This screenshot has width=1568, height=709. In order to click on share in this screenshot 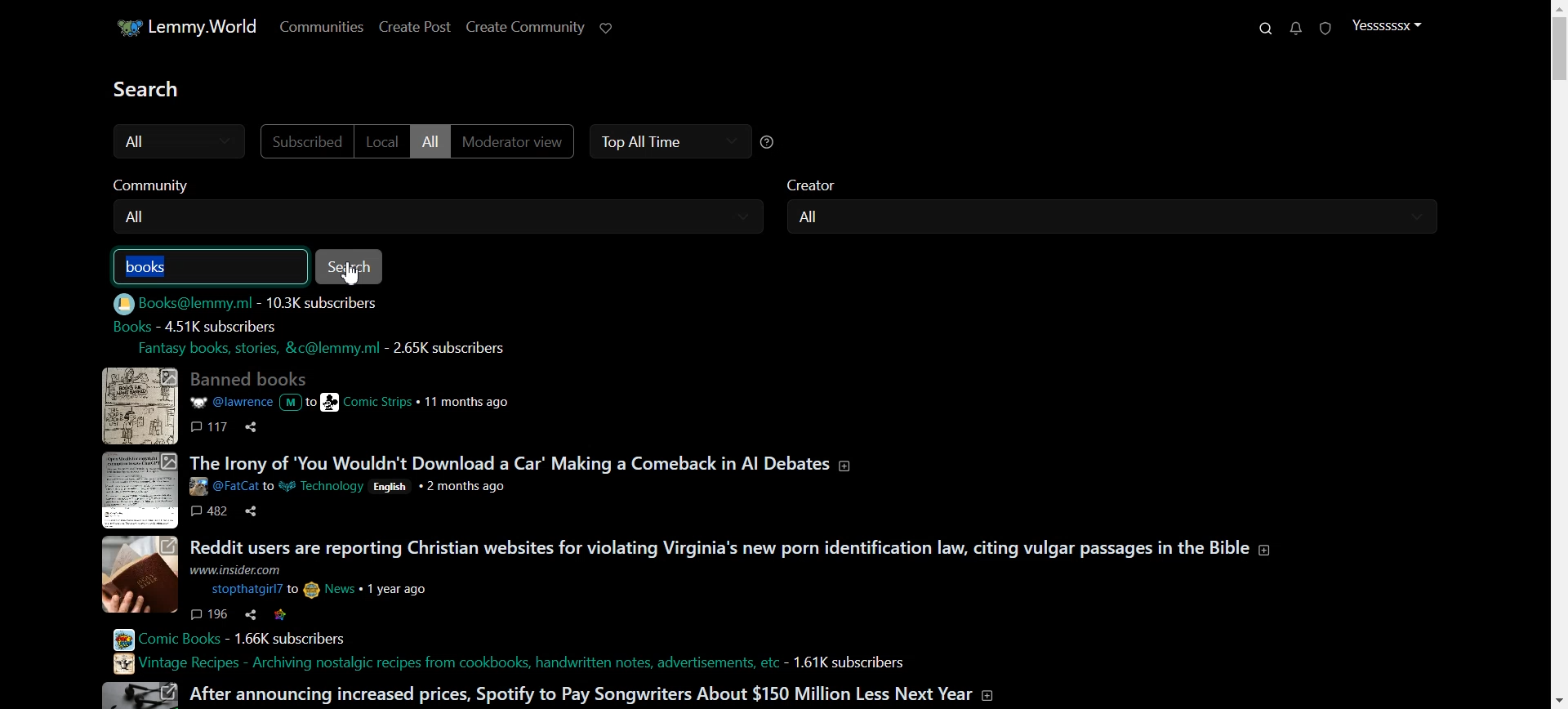, I will do `click(252, 513)`.